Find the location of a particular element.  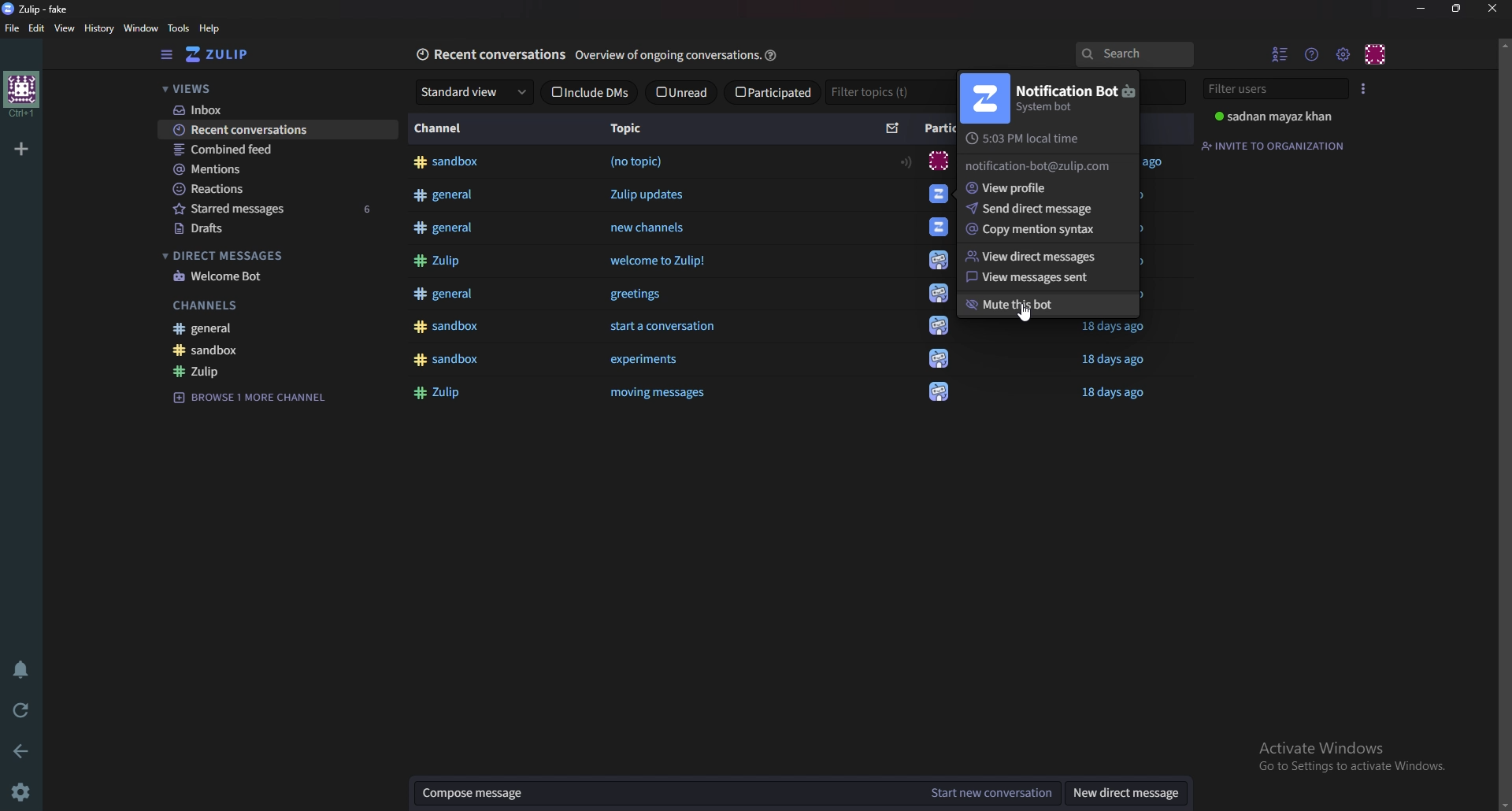

sandbox is located at coordinates (1126, 327).